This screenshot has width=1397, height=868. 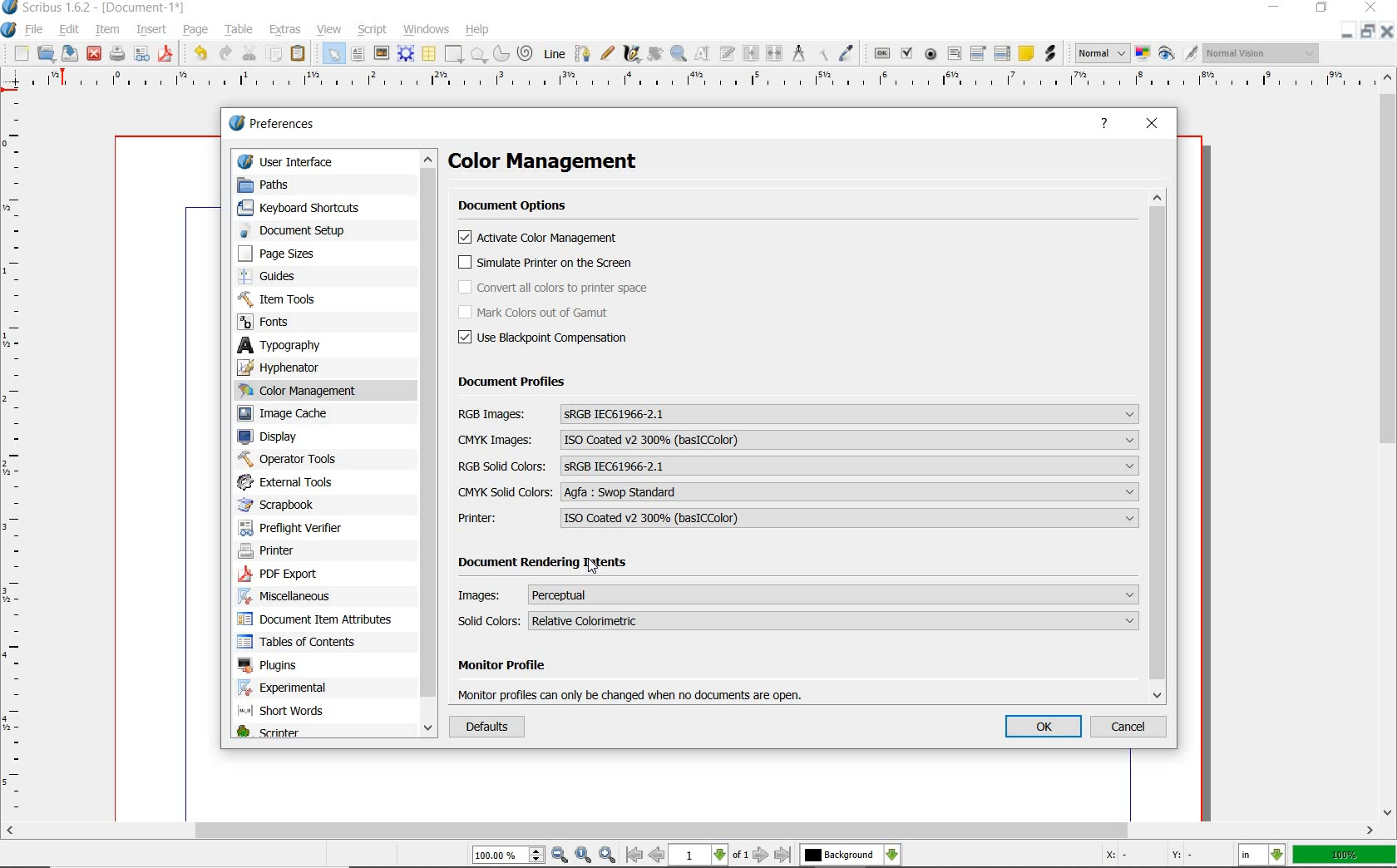 I want to click on redo, so click(x=227, y=54).